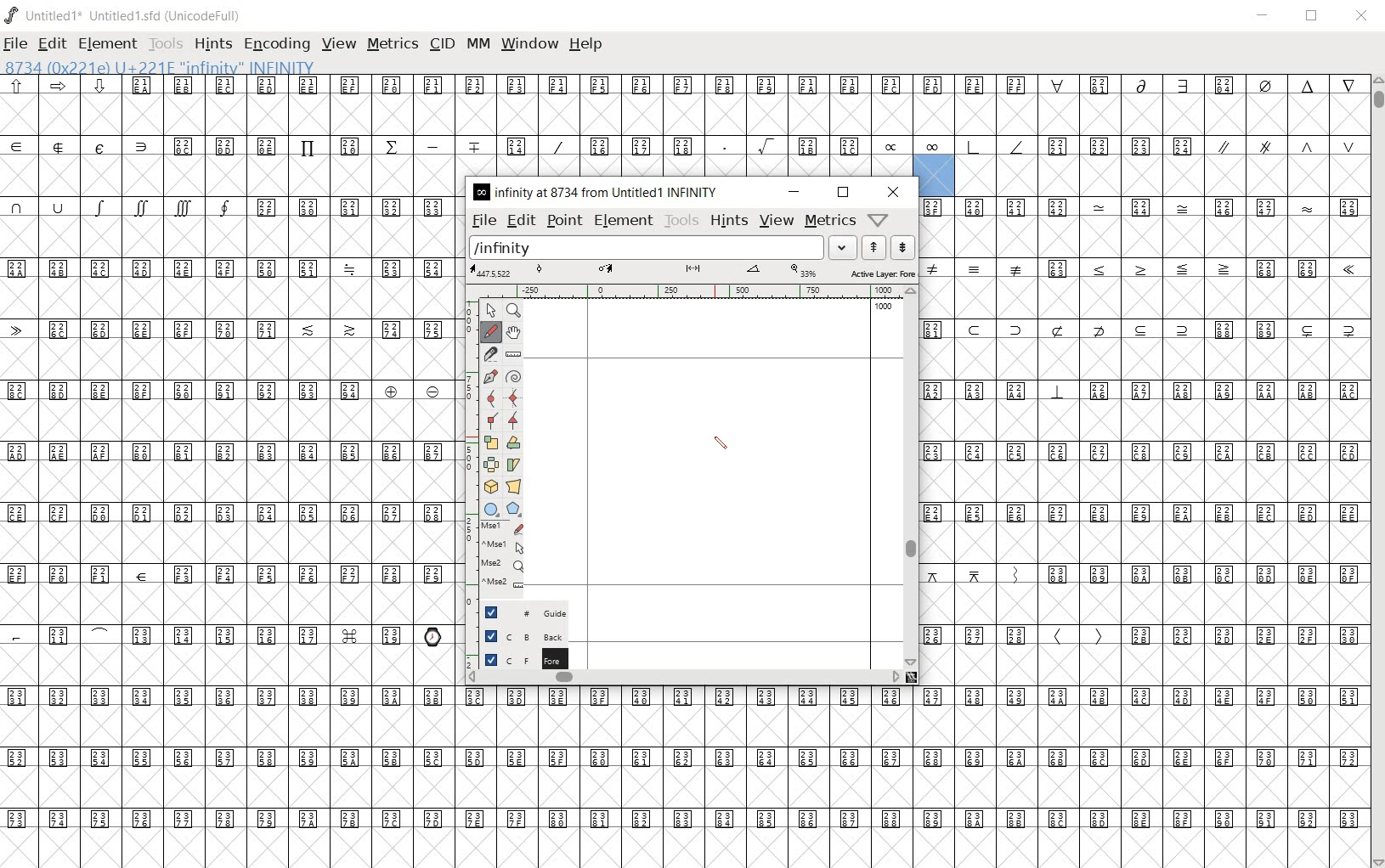 This screenshot has width=1385, height=868. Describe the element at coordinates (1363, 16) in the screenshot. I see `close` at that location.